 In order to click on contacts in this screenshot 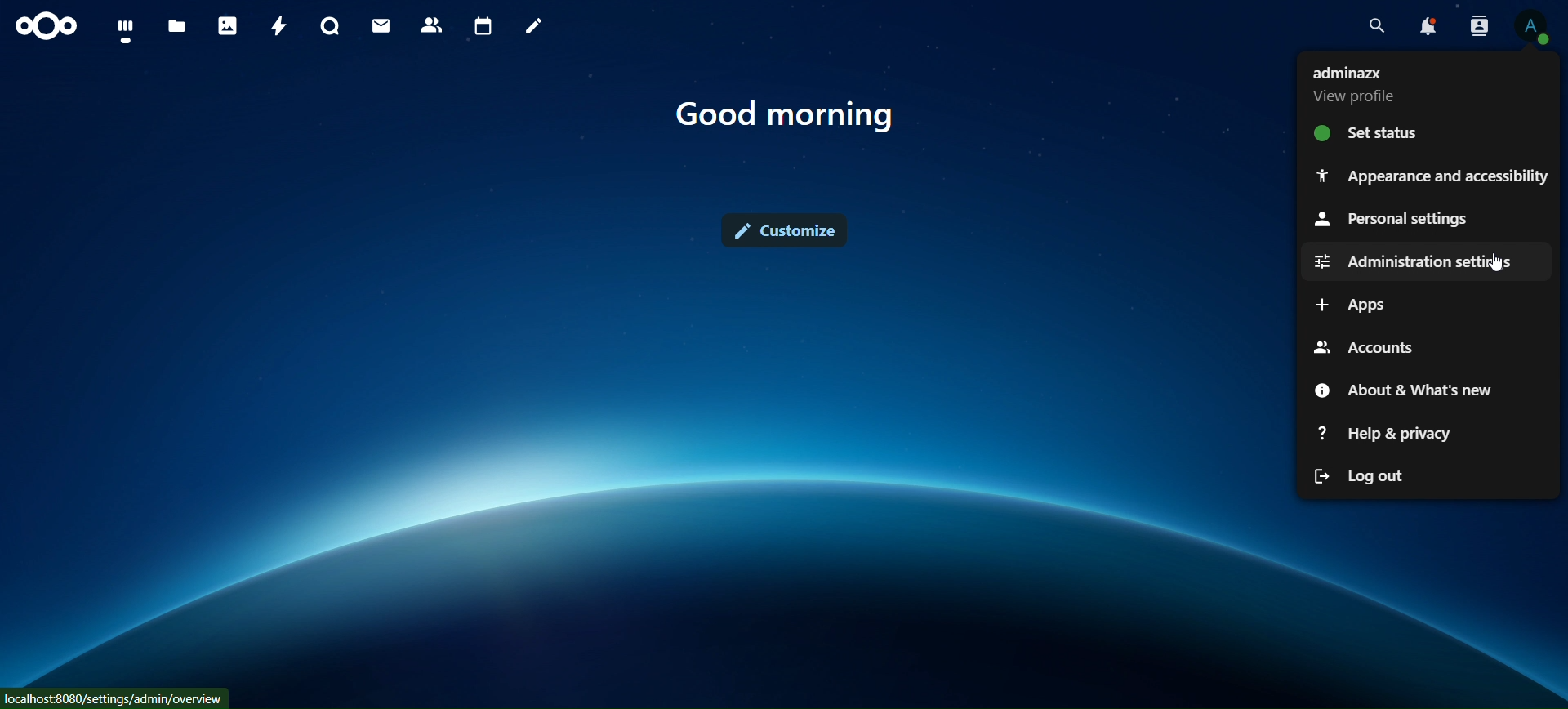, I will do `click(432, 26)`.